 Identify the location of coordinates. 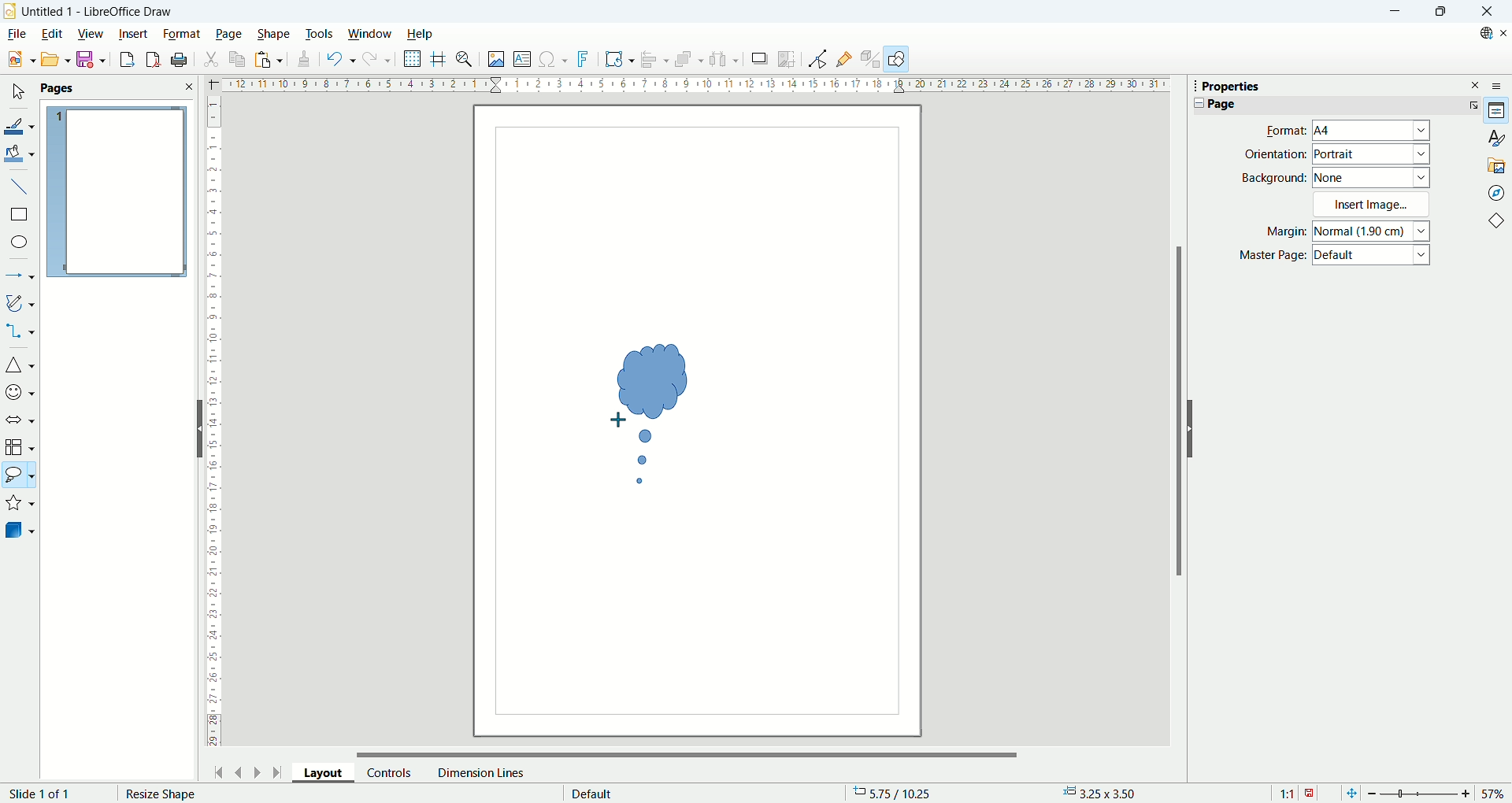
(900, 794).